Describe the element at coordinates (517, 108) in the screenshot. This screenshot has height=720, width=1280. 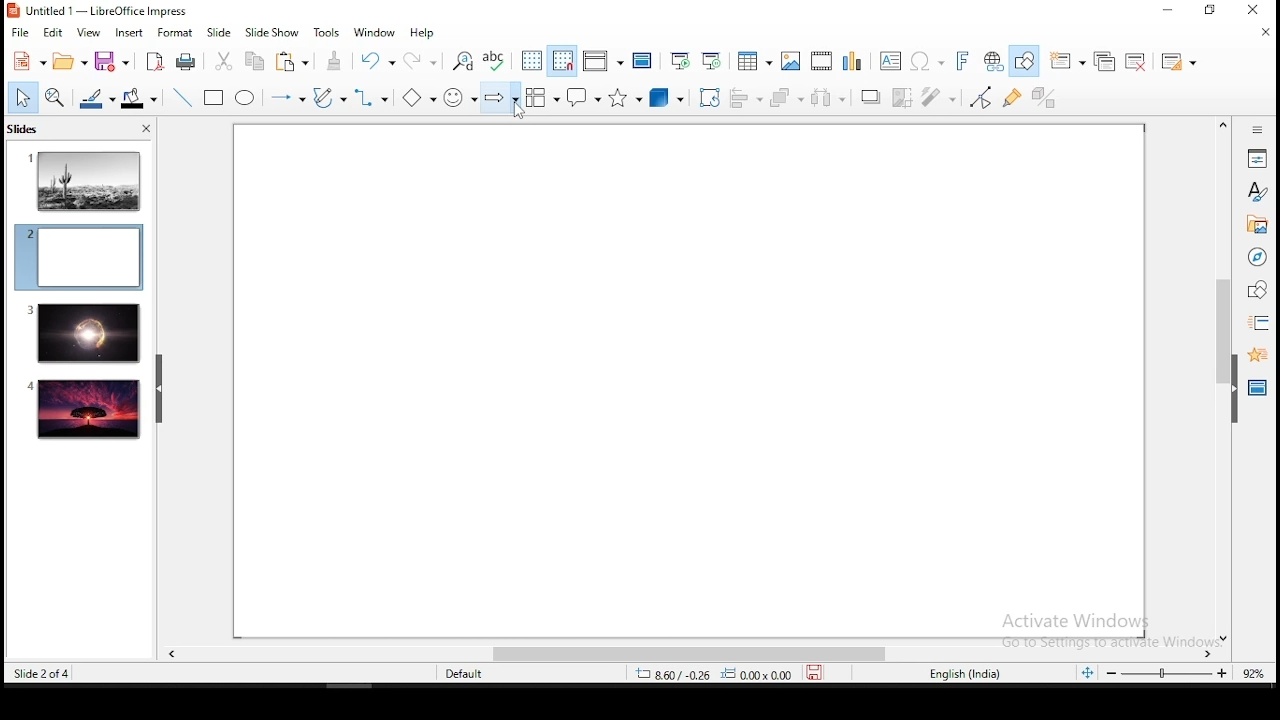
I see `cursor` at that location.